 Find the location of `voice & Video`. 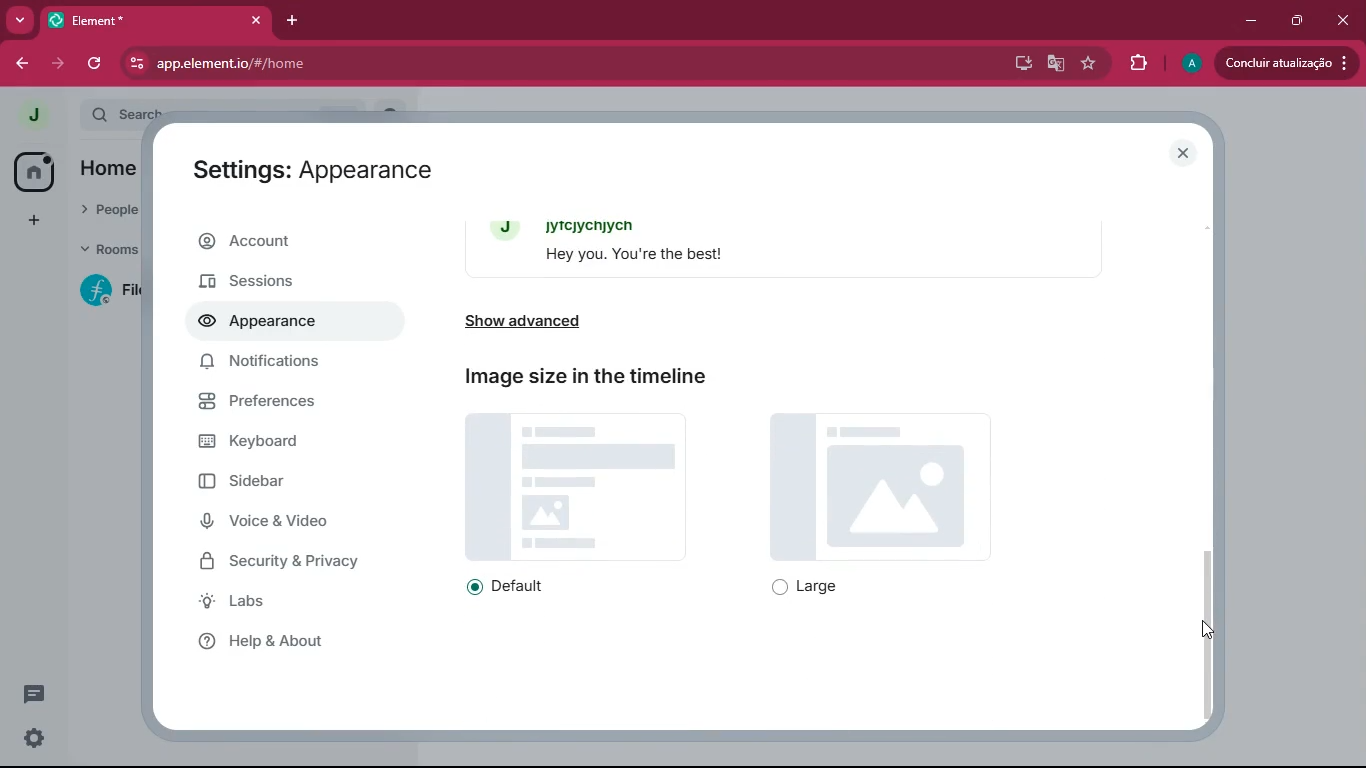

voice & Video is located at coordinates (290, 523).